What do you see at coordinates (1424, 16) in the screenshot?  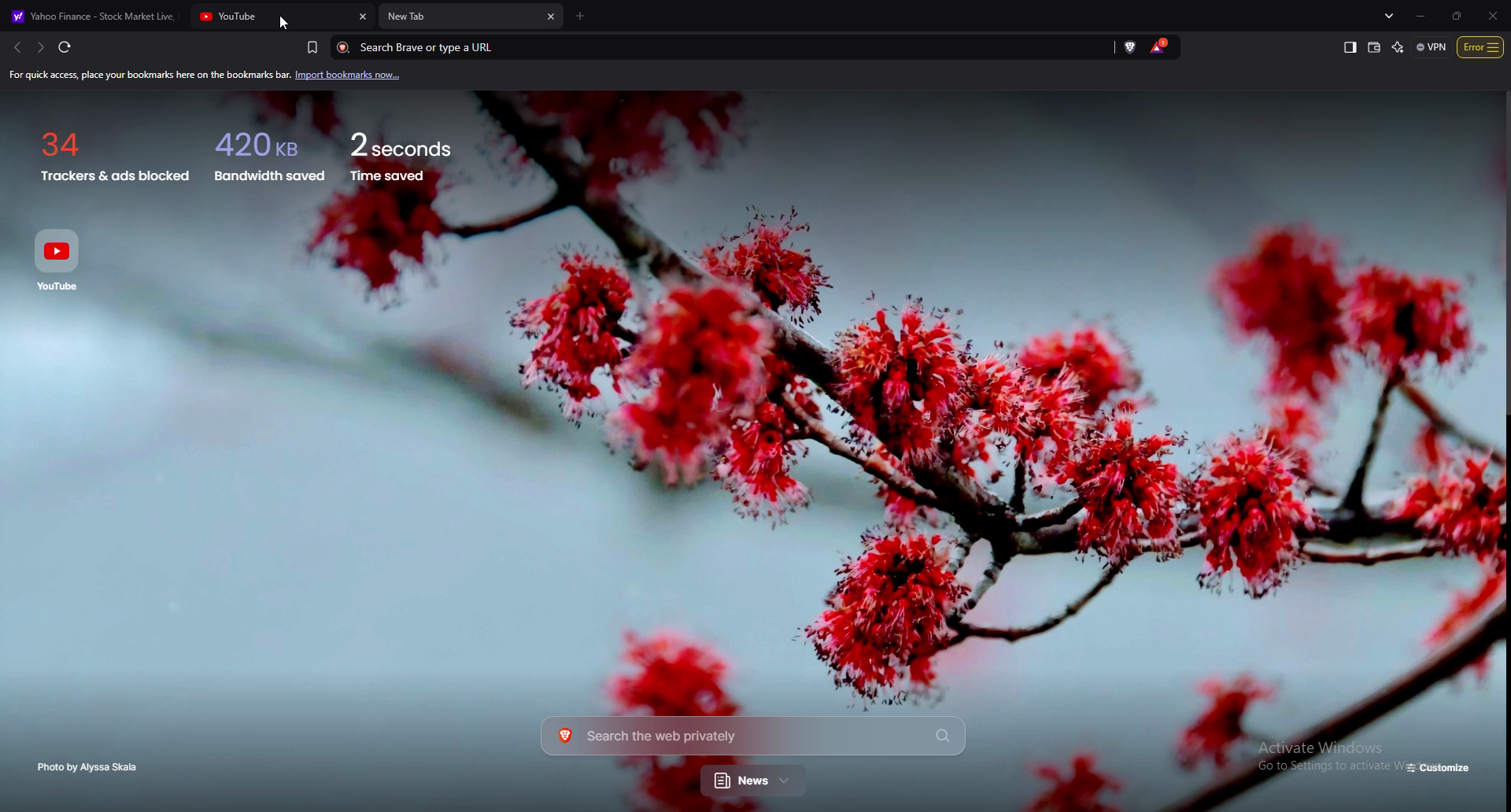 I see `minimize` at bounding box center [1424, 16].